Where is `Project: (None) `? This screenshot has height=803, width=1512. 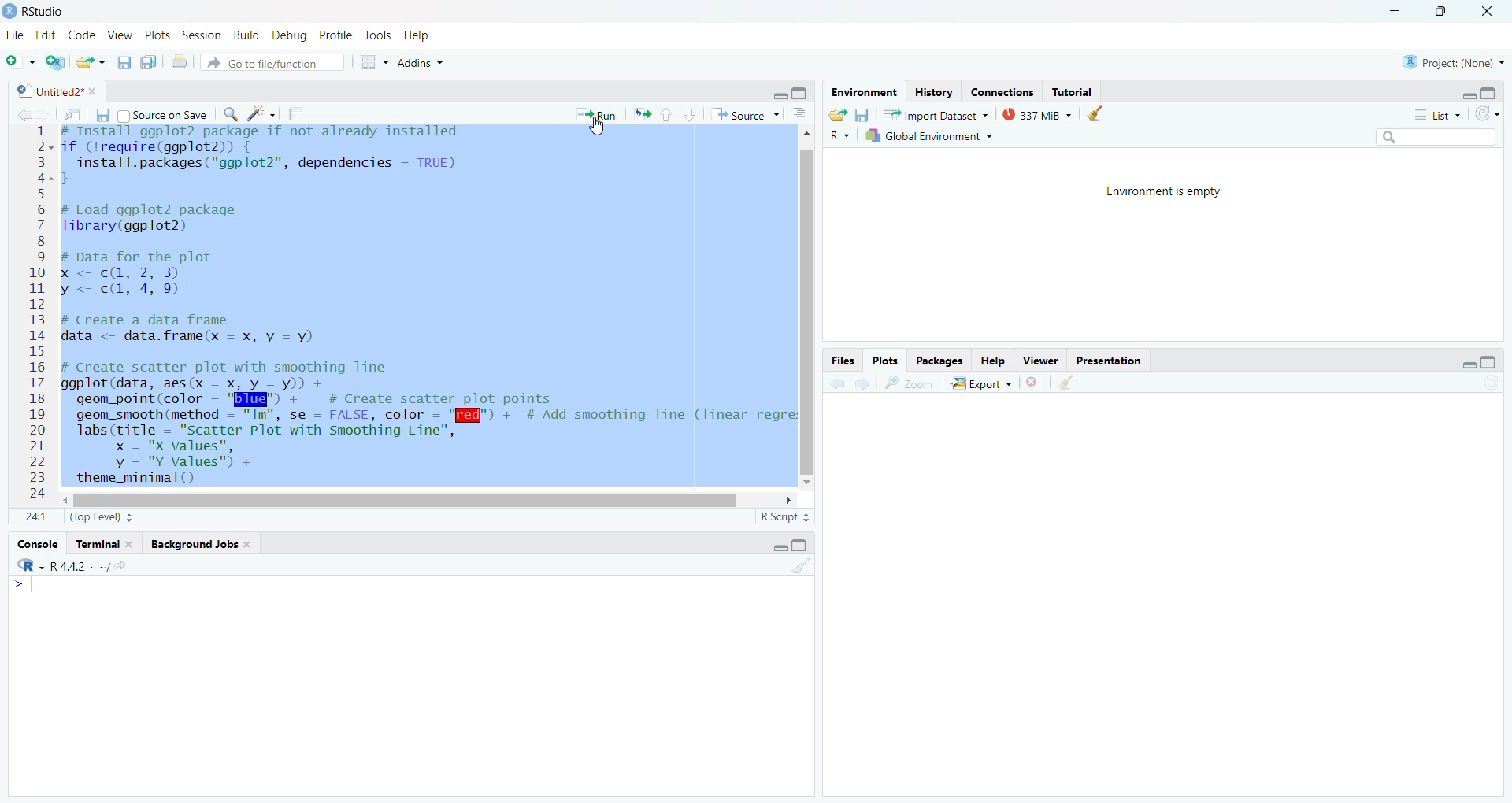
Project: (None)  is located at coordinates (1452, 61).